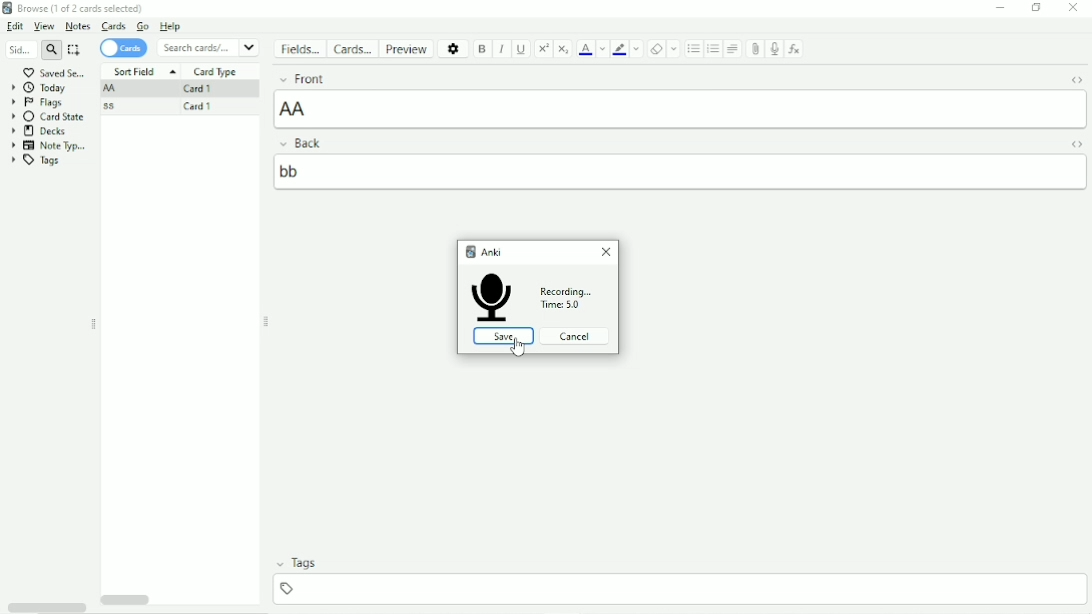  Describe the element at coordinates (674, 48) in the screenshot. I see `Select formatting to remove` at that location.